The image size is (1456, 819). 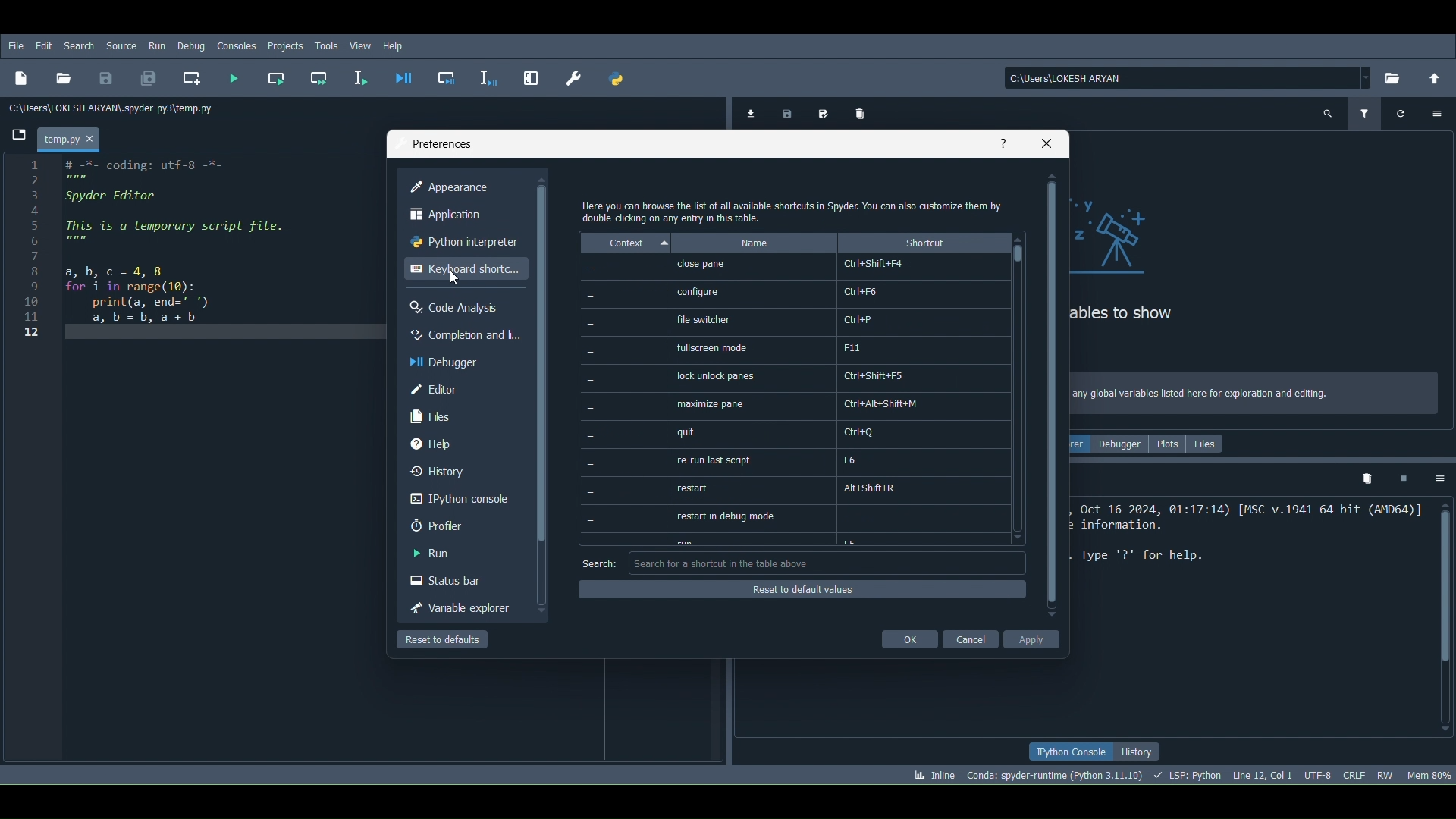 I want to click on Scrollbar, so click(x=541, y=388).